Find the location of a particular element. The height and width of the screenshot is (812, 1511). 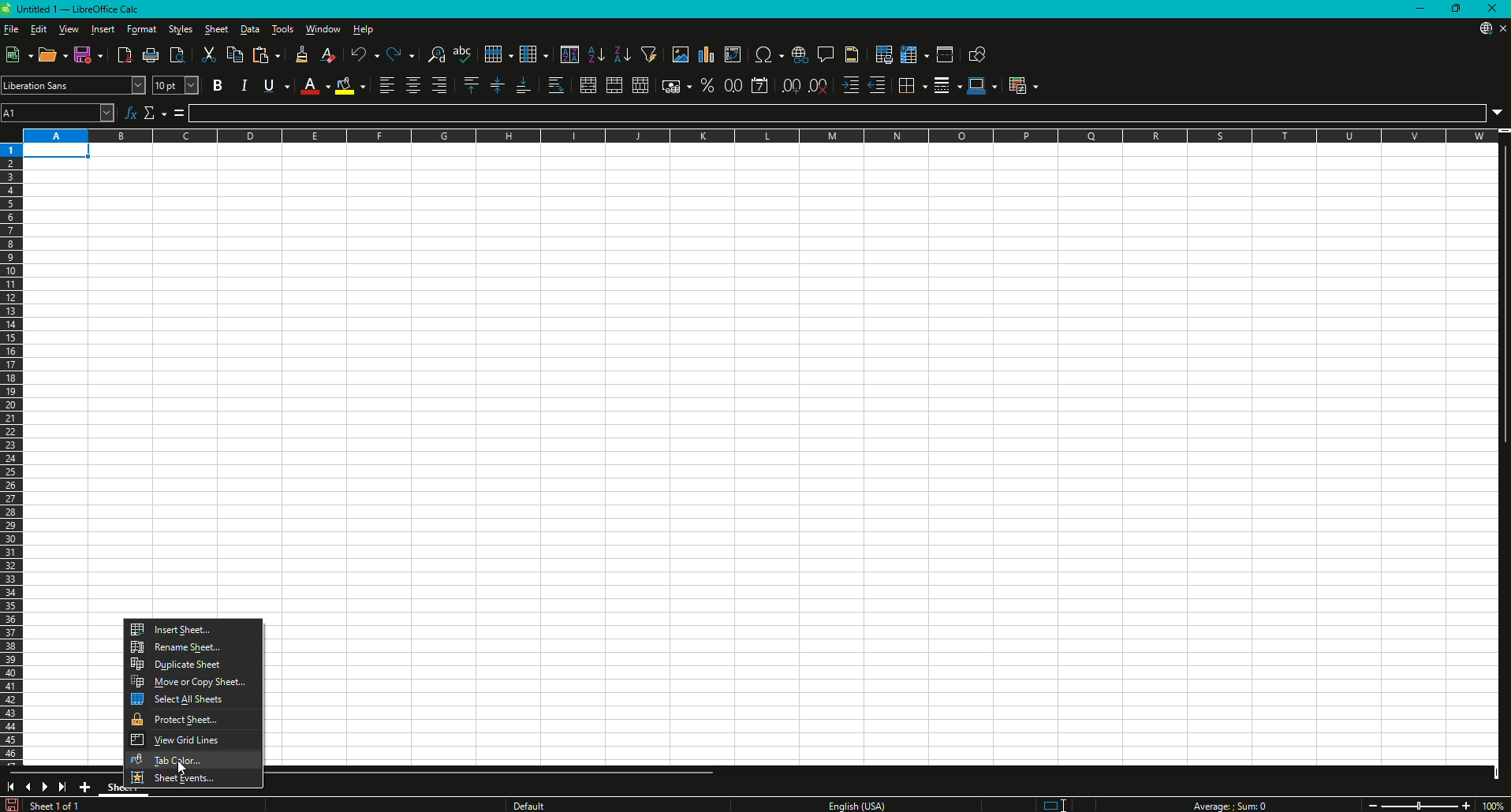

Clone Formatting is located at coordinates (304, 54).